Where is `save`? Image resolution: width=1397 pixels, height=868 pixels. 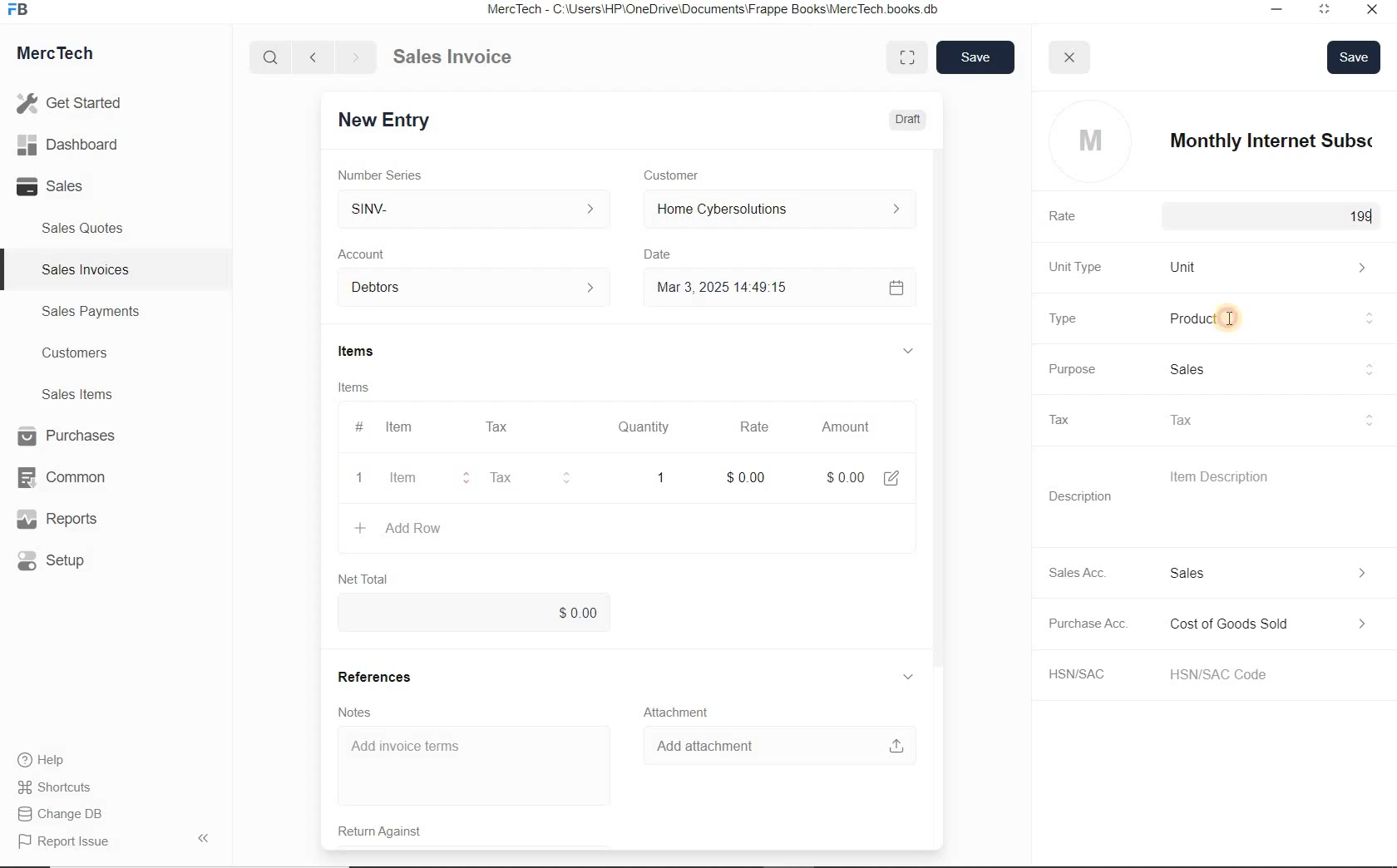 save is located at coordinates (977, 57).